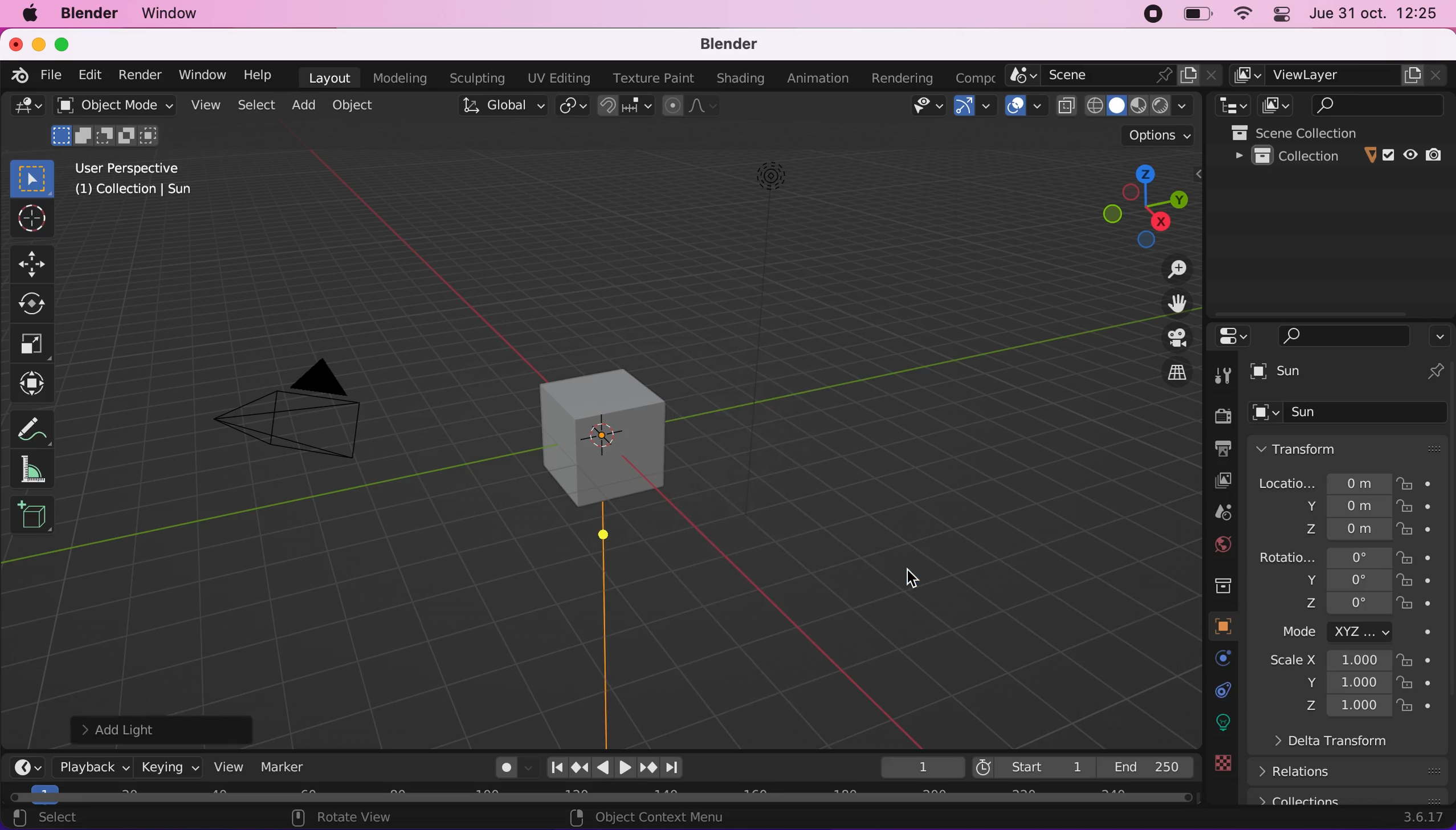 The image size is (1456, 830). Describe the element at coordinates (578, 770) in the screenshot. I see `Jump to keyframe` at that location.